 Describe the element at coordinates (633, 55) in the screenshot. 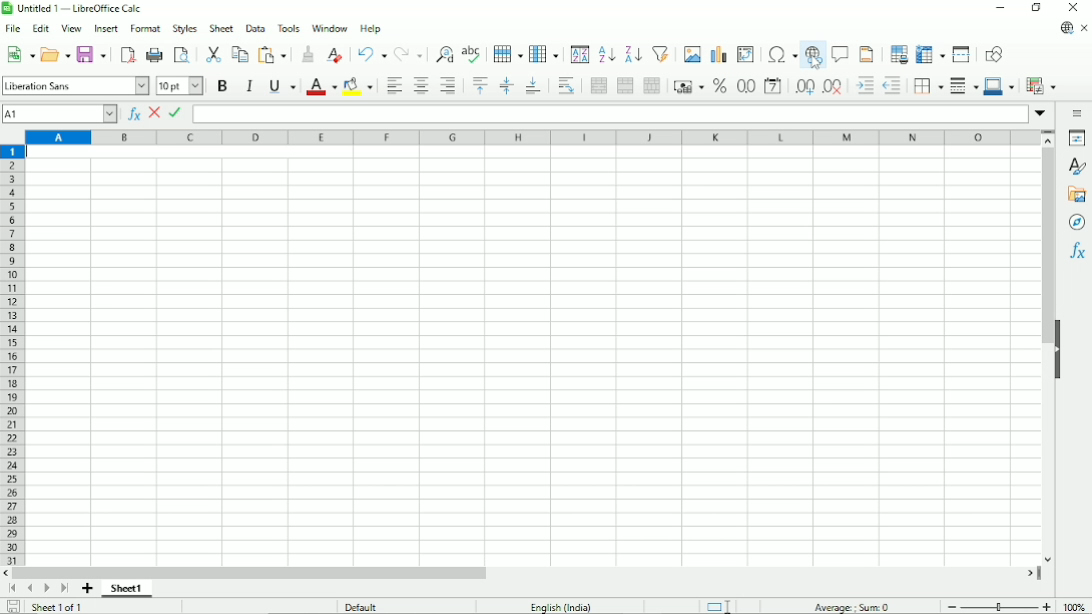

I see `Sort descending` at that location.